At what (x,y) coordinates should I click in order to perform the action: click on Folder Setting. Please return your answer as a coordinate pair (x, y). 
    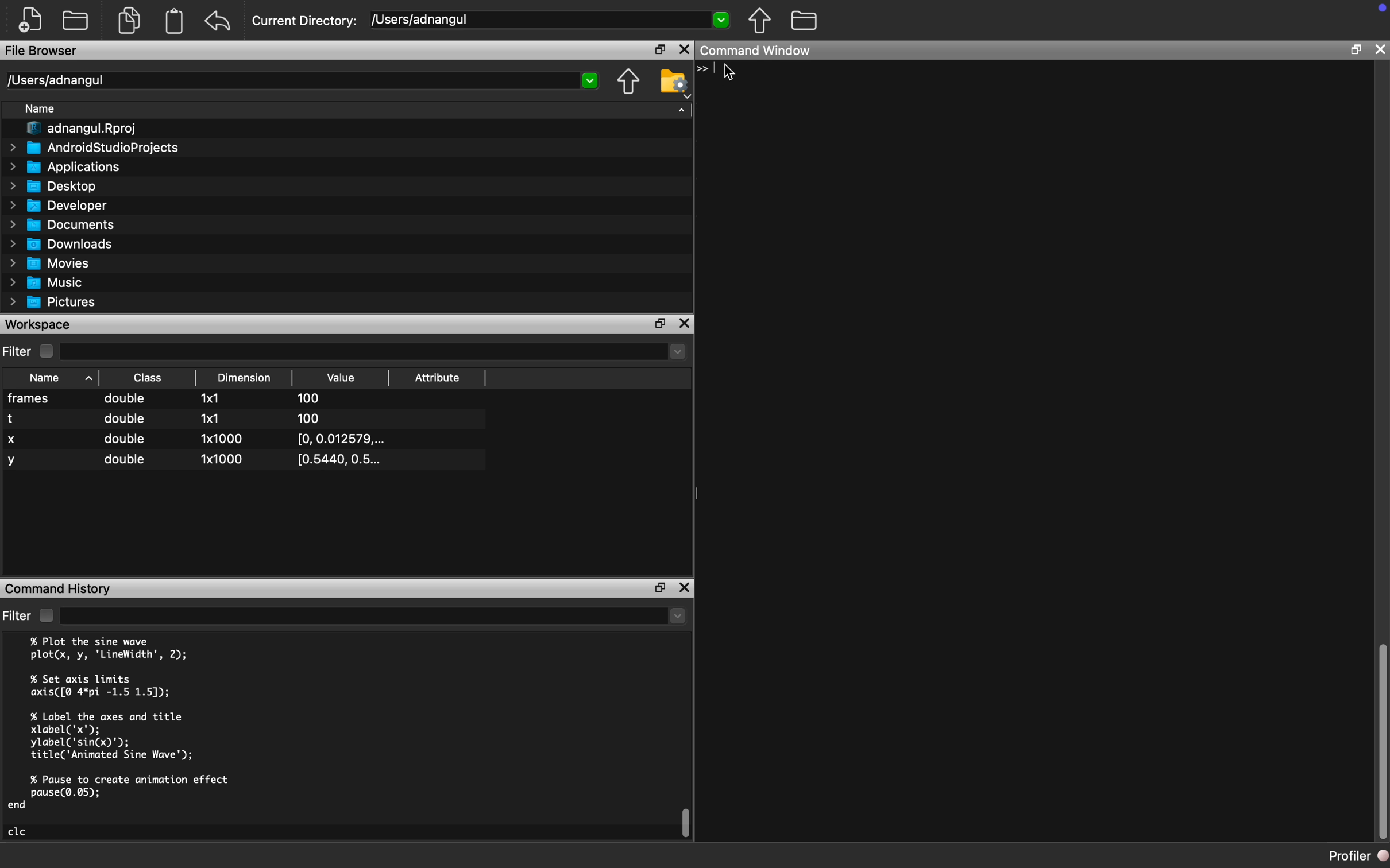
    Looking at the image, I should click on (672, 83).